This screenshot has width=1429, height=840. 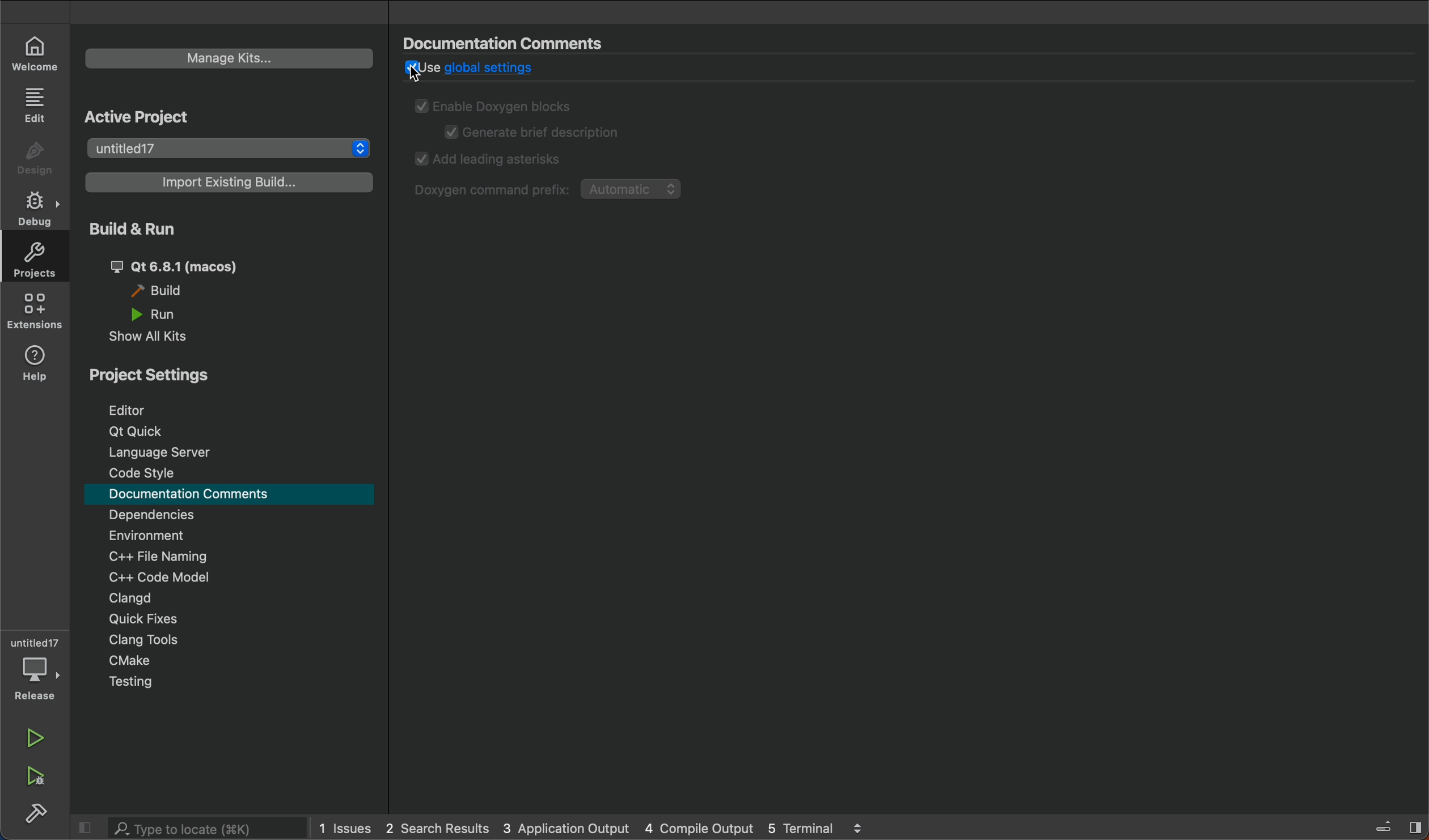 What do you see at coordinates (144, 473) in the screenshot?
I see `code style` at bounding box center [144, 473].